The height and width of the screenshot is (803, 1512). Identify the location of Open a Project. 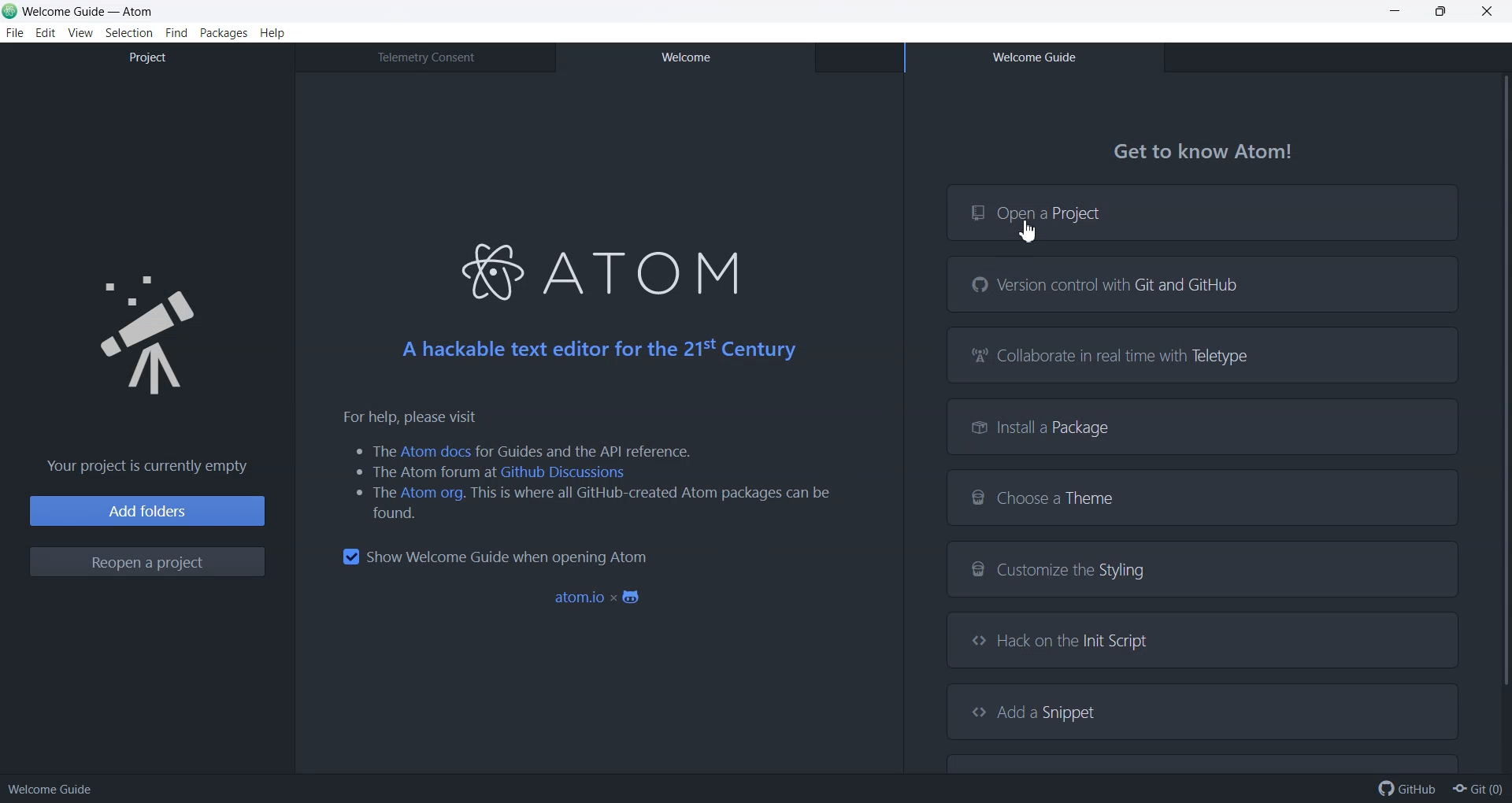
(1203, 213).